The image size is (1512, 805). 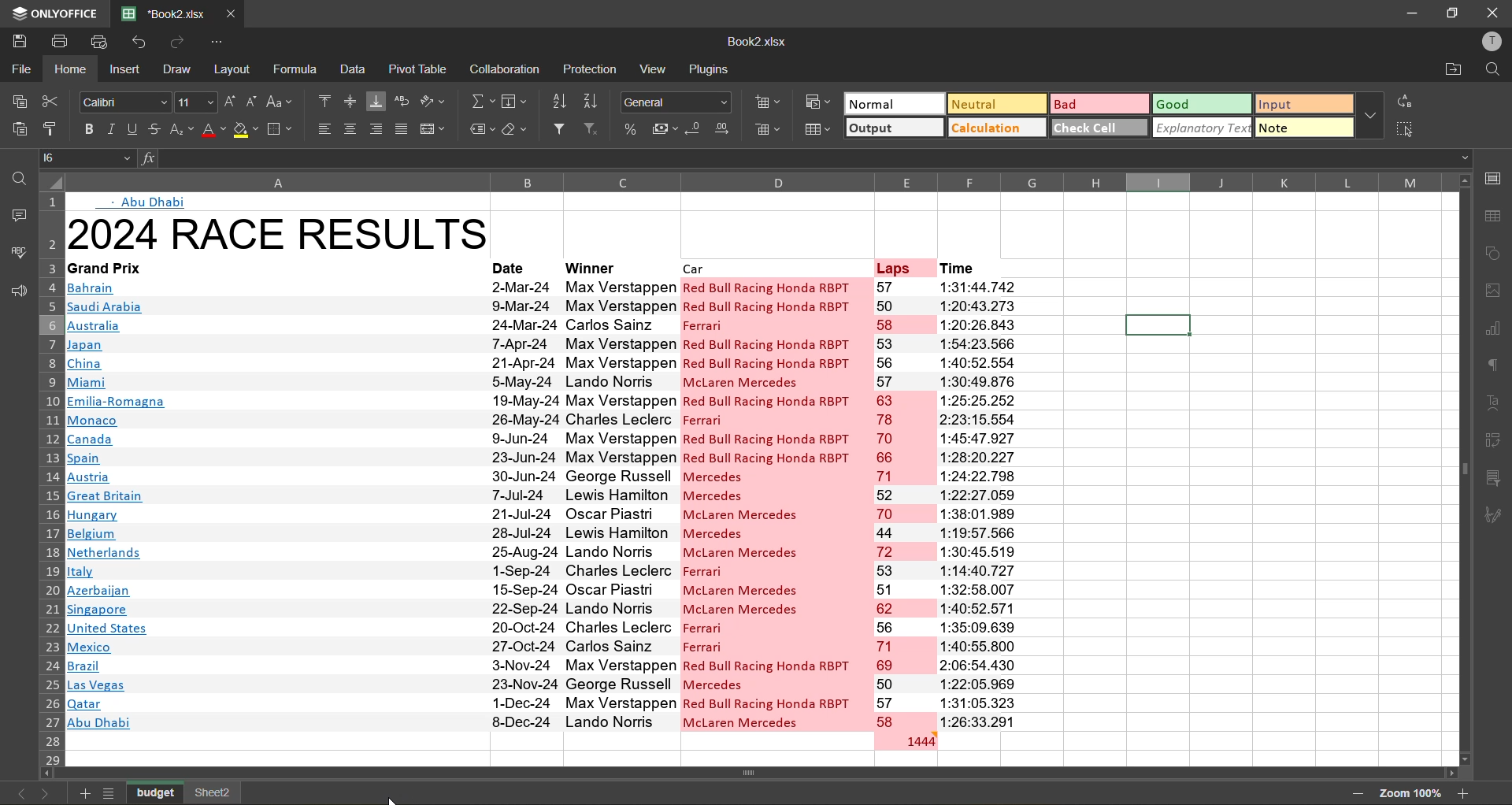 What do you see at coordinates (628, 130) in the screenshot?
I see `percent` at bounding box center [628, 130].